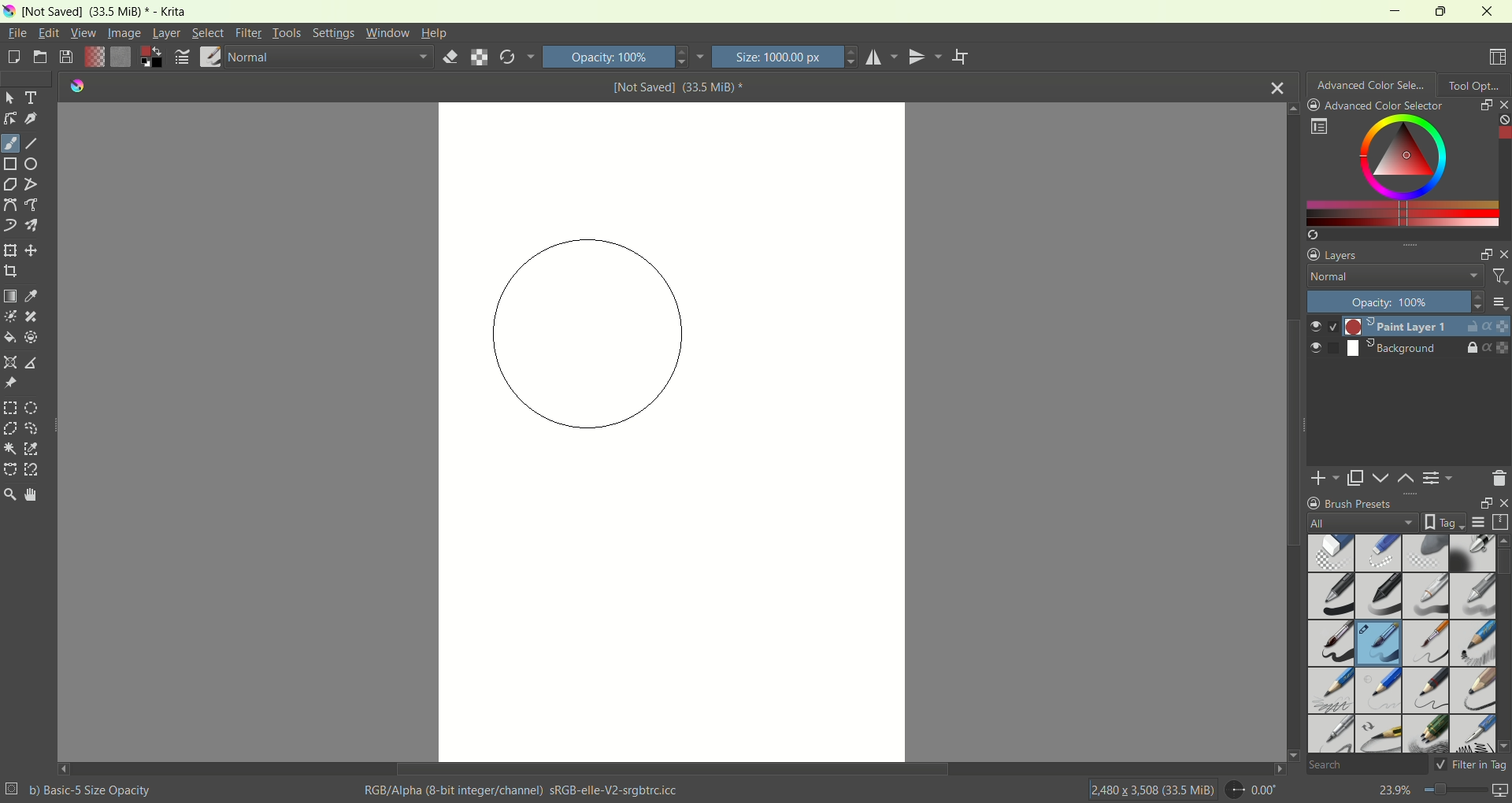 This screenshot has width=1512, height=803. What do you see at coordinates (10, 468) in the screenshot?
I see `bezier curve selection` at bounding box center [10, 468].